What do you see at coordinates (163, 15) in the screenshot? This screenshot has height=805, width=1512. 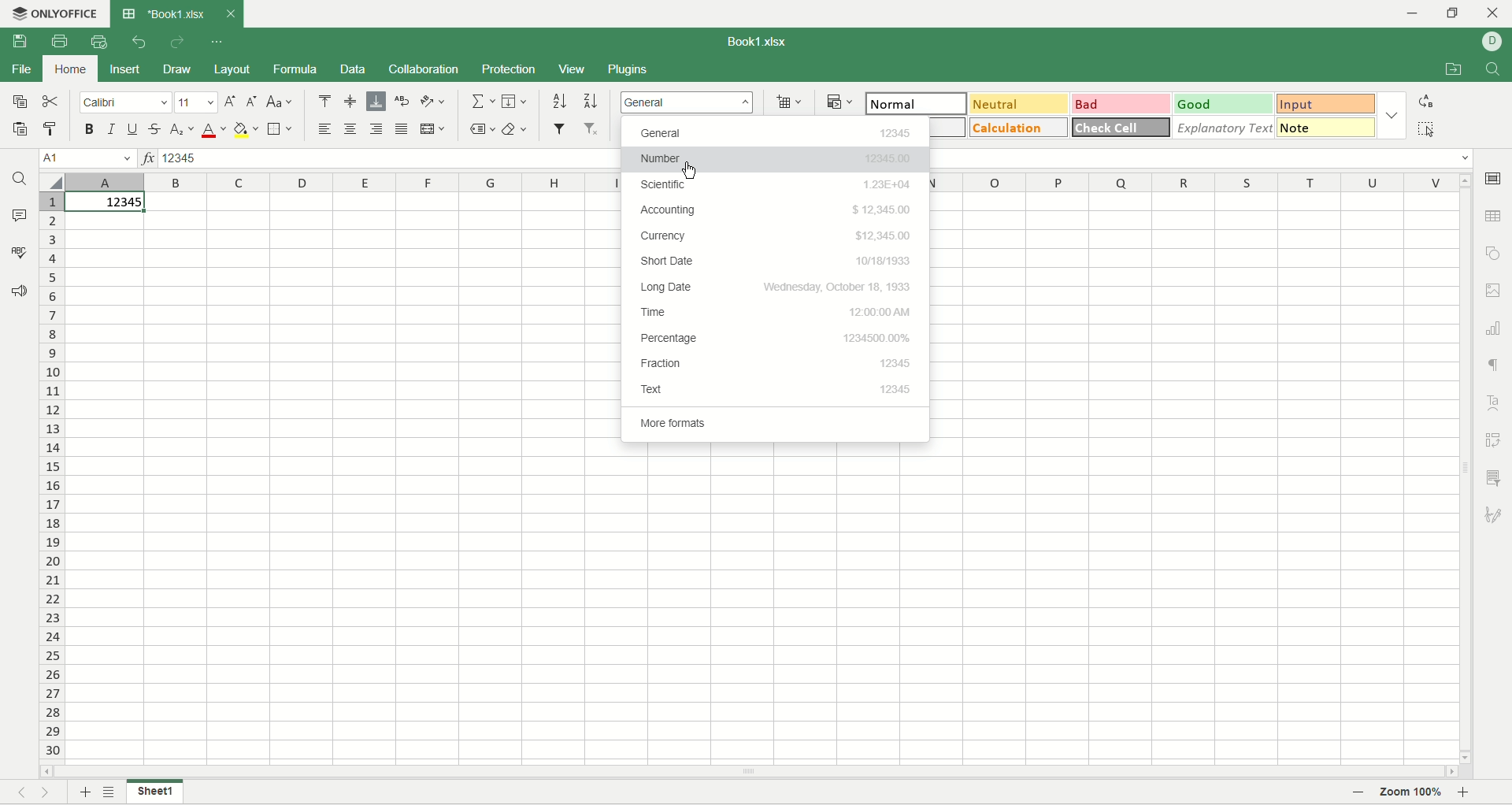 I see `document tab` at bounding box center [163, 15].